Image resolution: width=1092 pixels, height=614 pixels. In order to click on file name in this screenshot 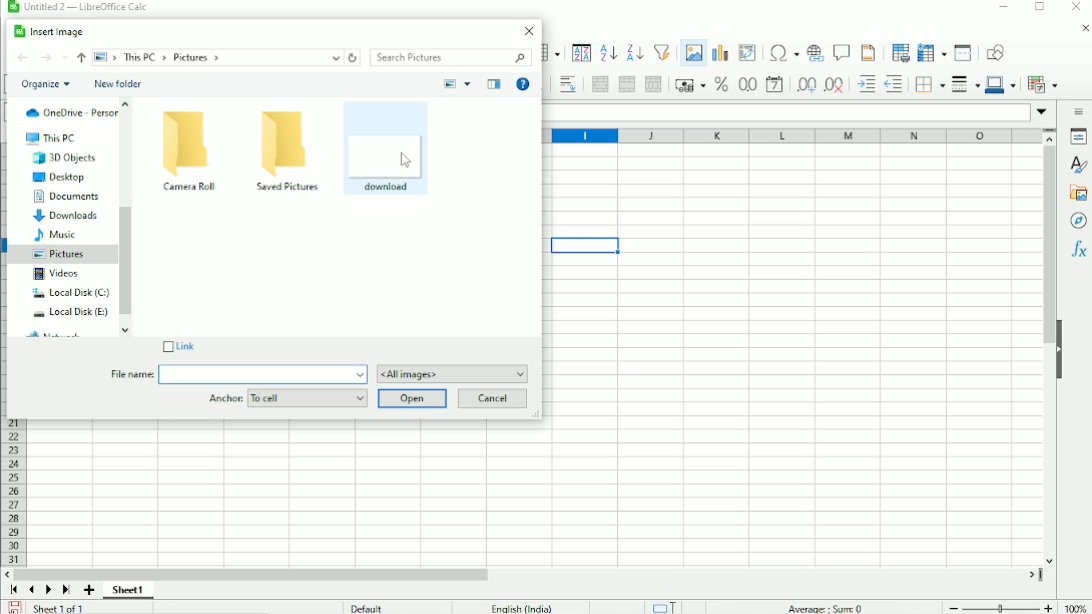, I will do `click(264, 373)`.